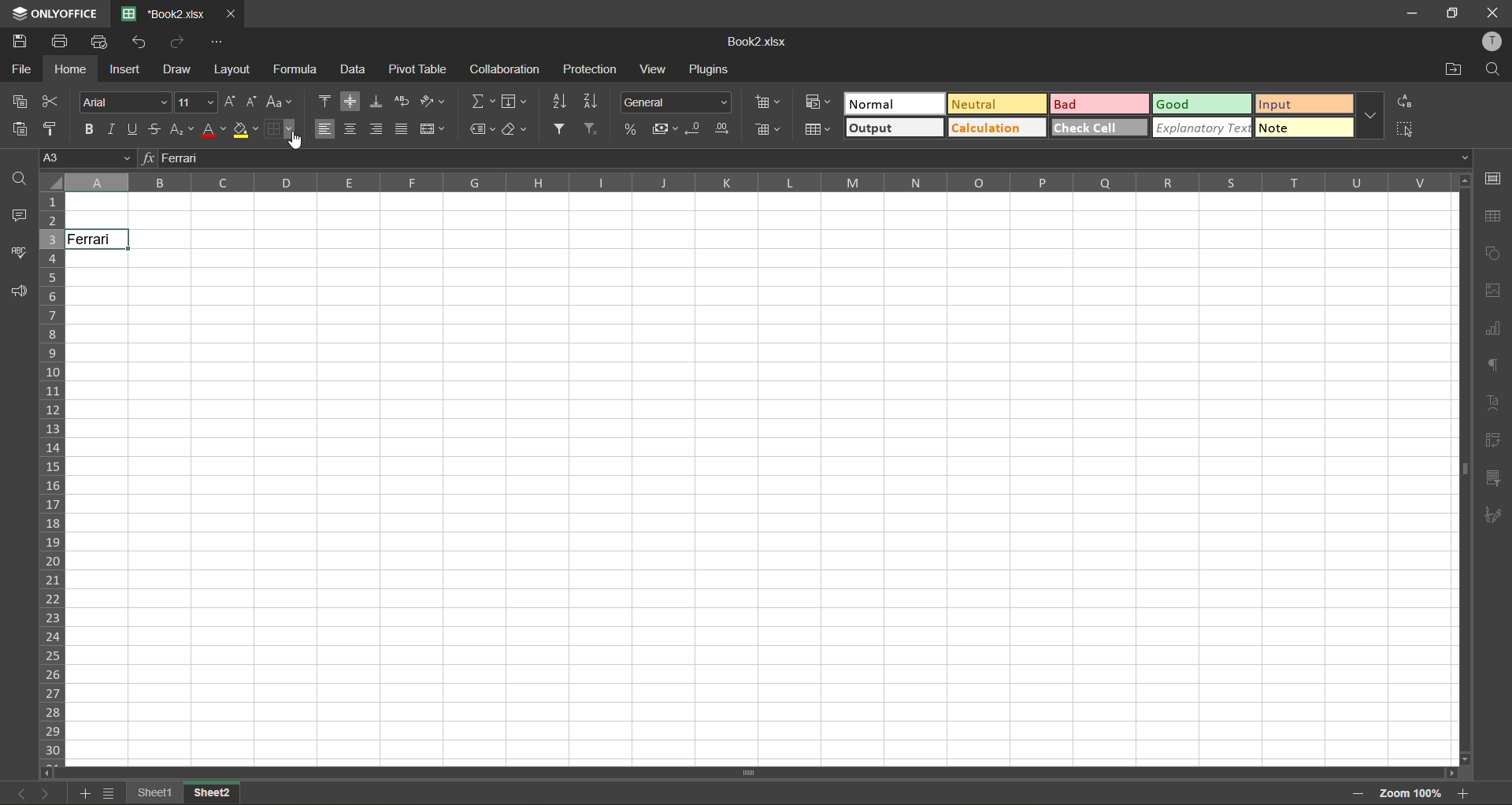 This screenshot has height=805, width=1512. I want to click on output, so click(892, 128).